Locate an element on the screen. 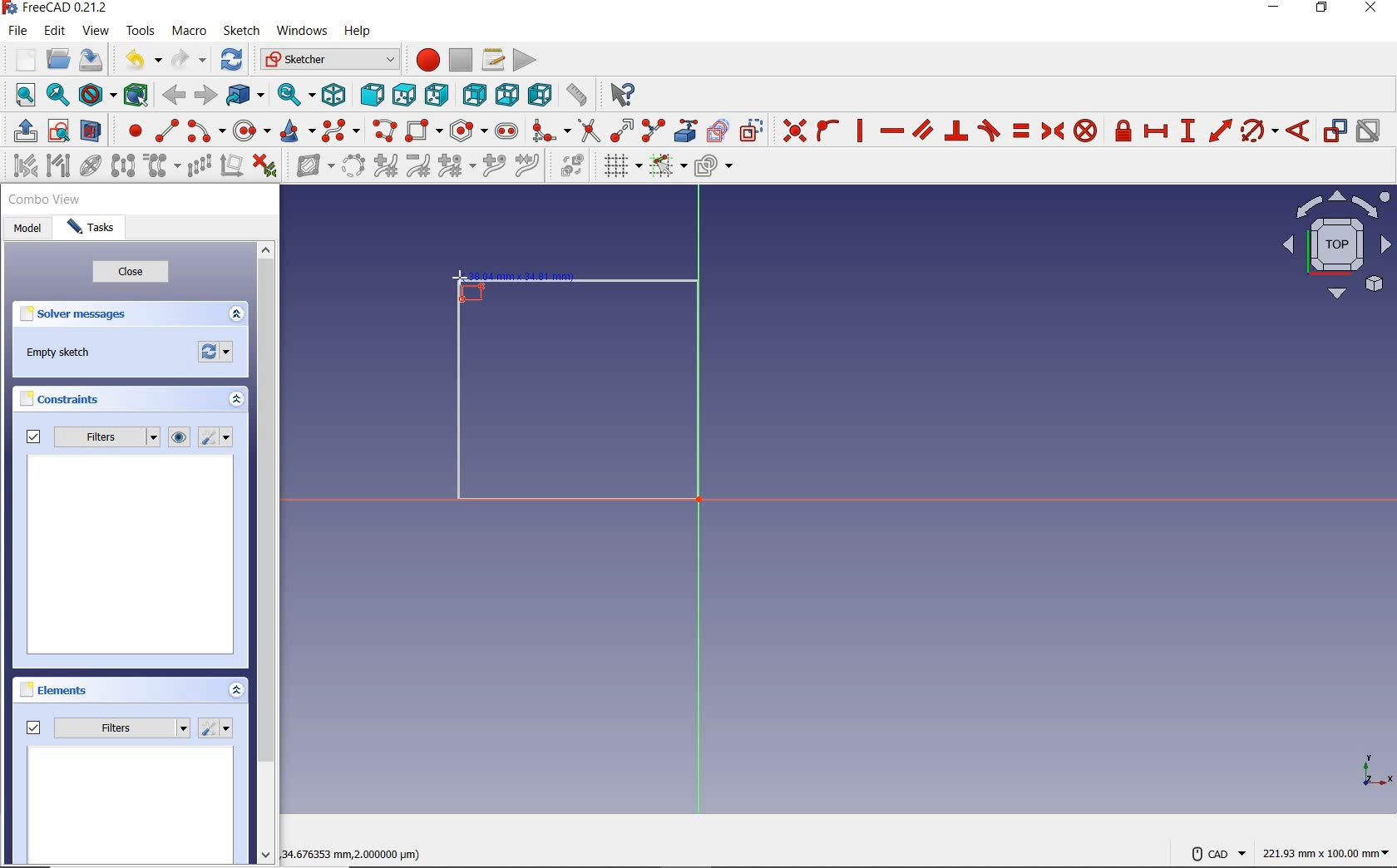 This screenshot has width=1397, height=868. show/hide all listed constraints from3D view is located at coordinates (180, 437).